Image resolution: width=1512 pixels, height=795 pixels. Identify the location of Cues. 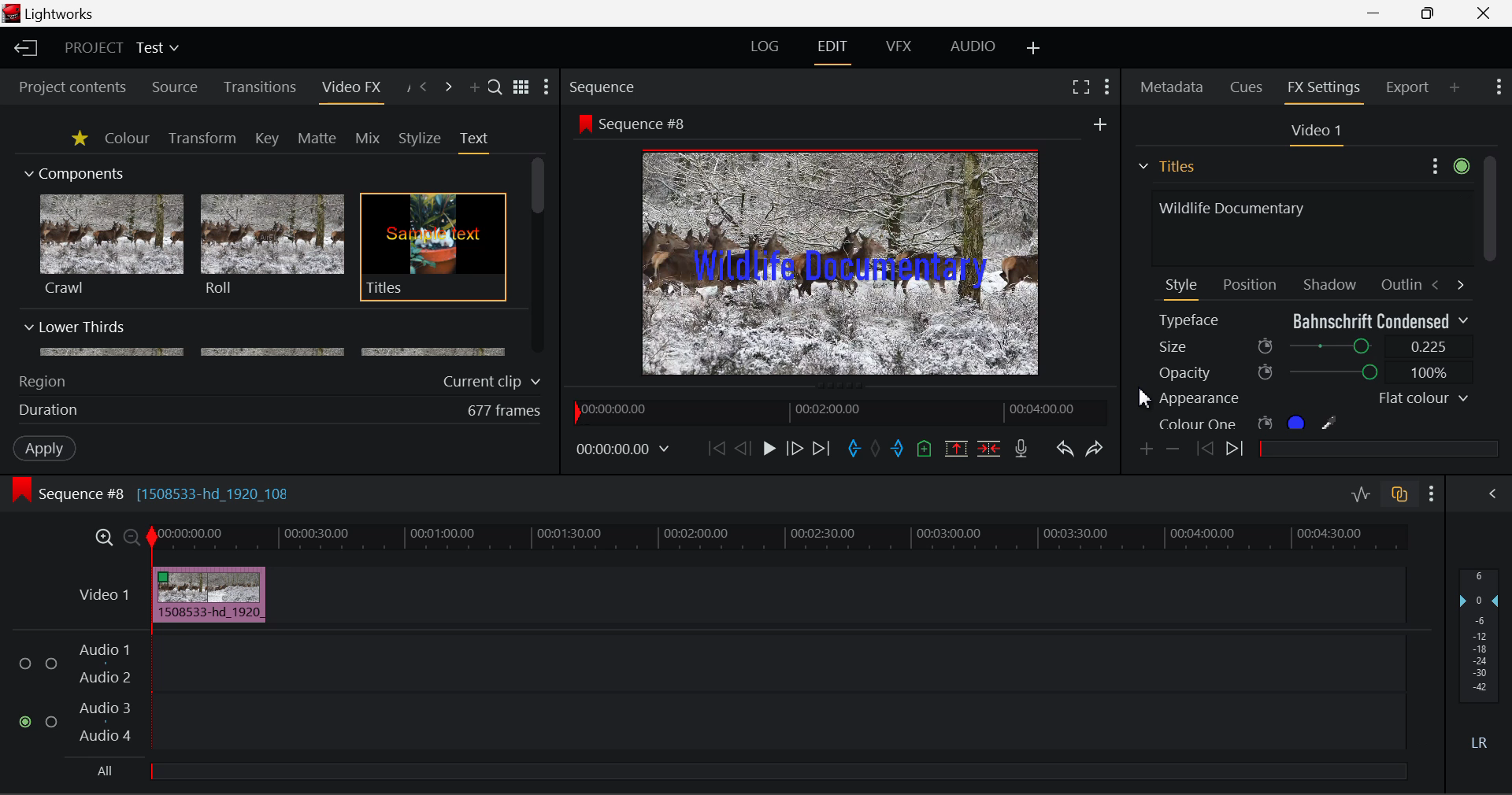
(1248, 87).